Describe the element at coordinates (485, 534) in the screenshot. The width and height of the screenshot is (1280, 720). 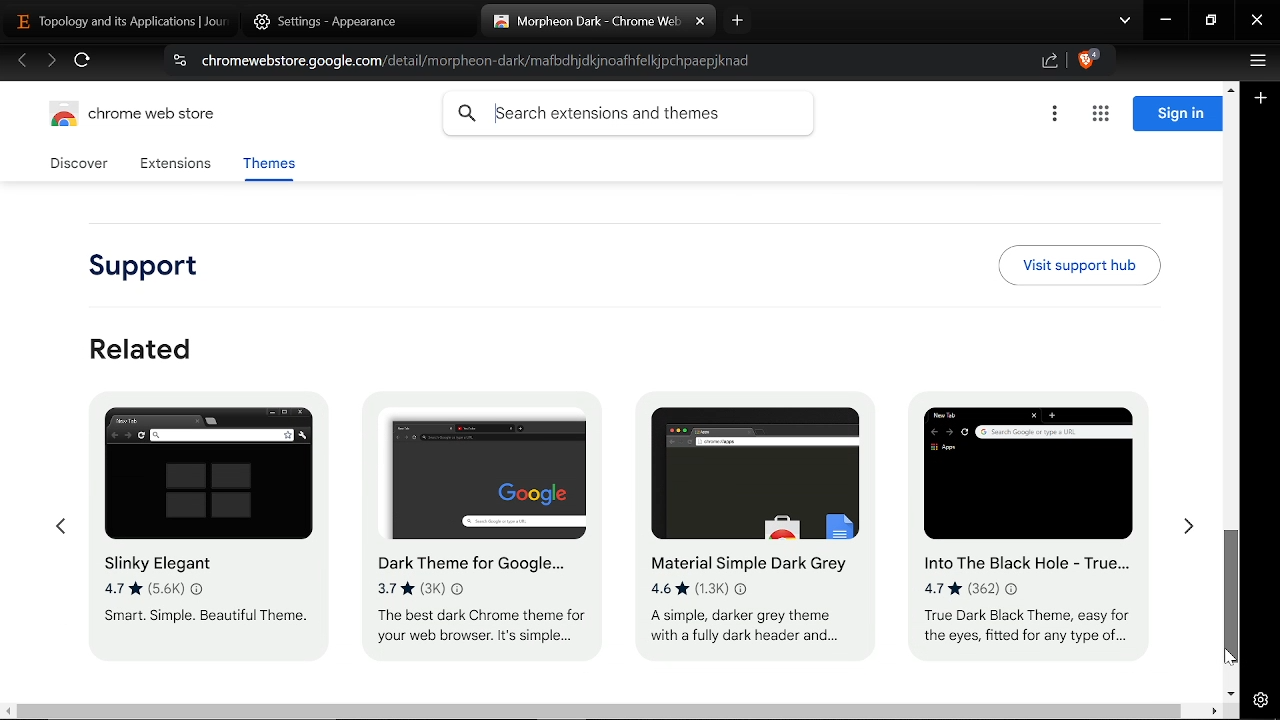
I see `Dark theme for Google` at that location.